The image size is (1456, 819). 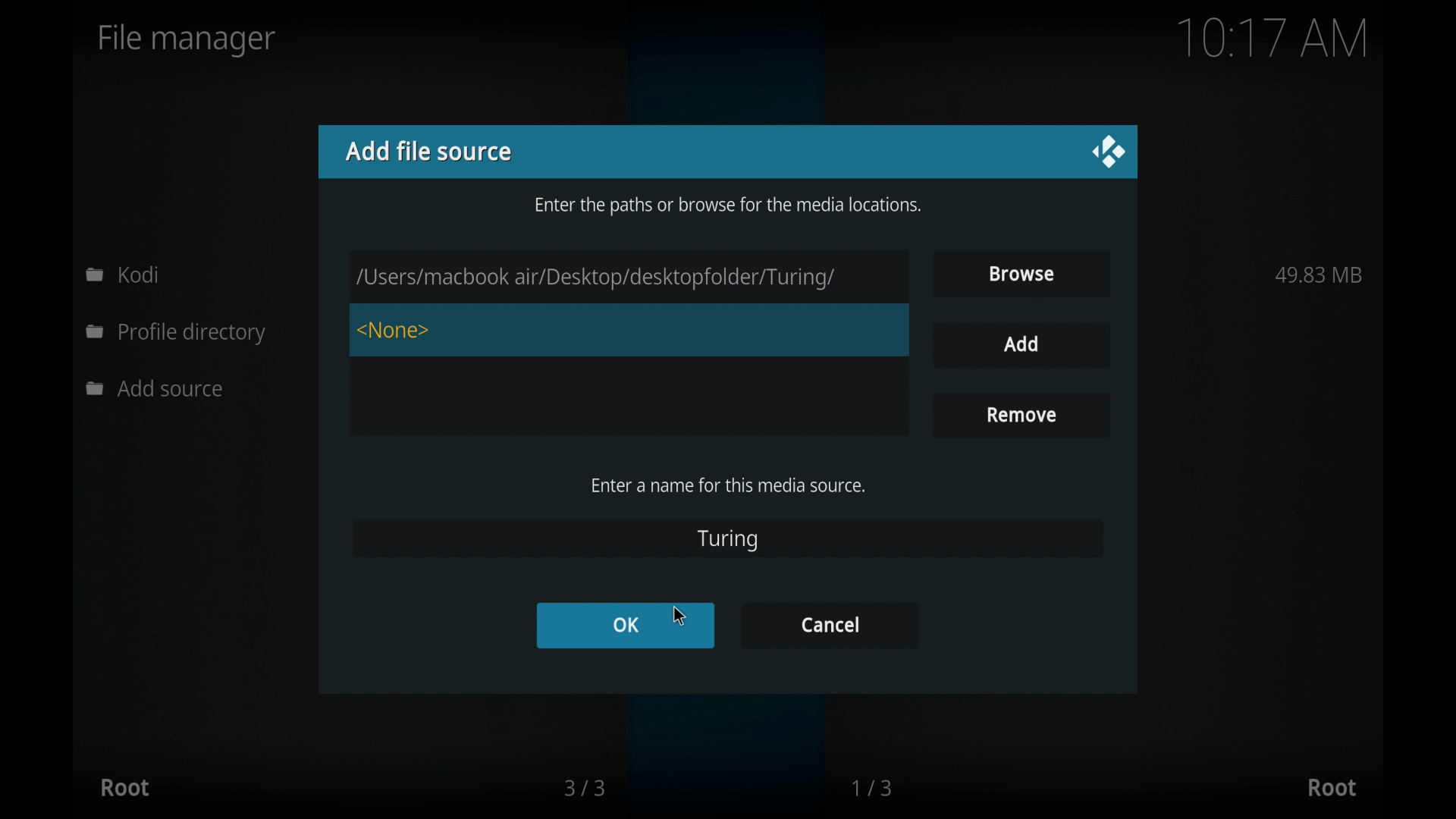 I want to click on profile directory, so click(x=179, y=334).